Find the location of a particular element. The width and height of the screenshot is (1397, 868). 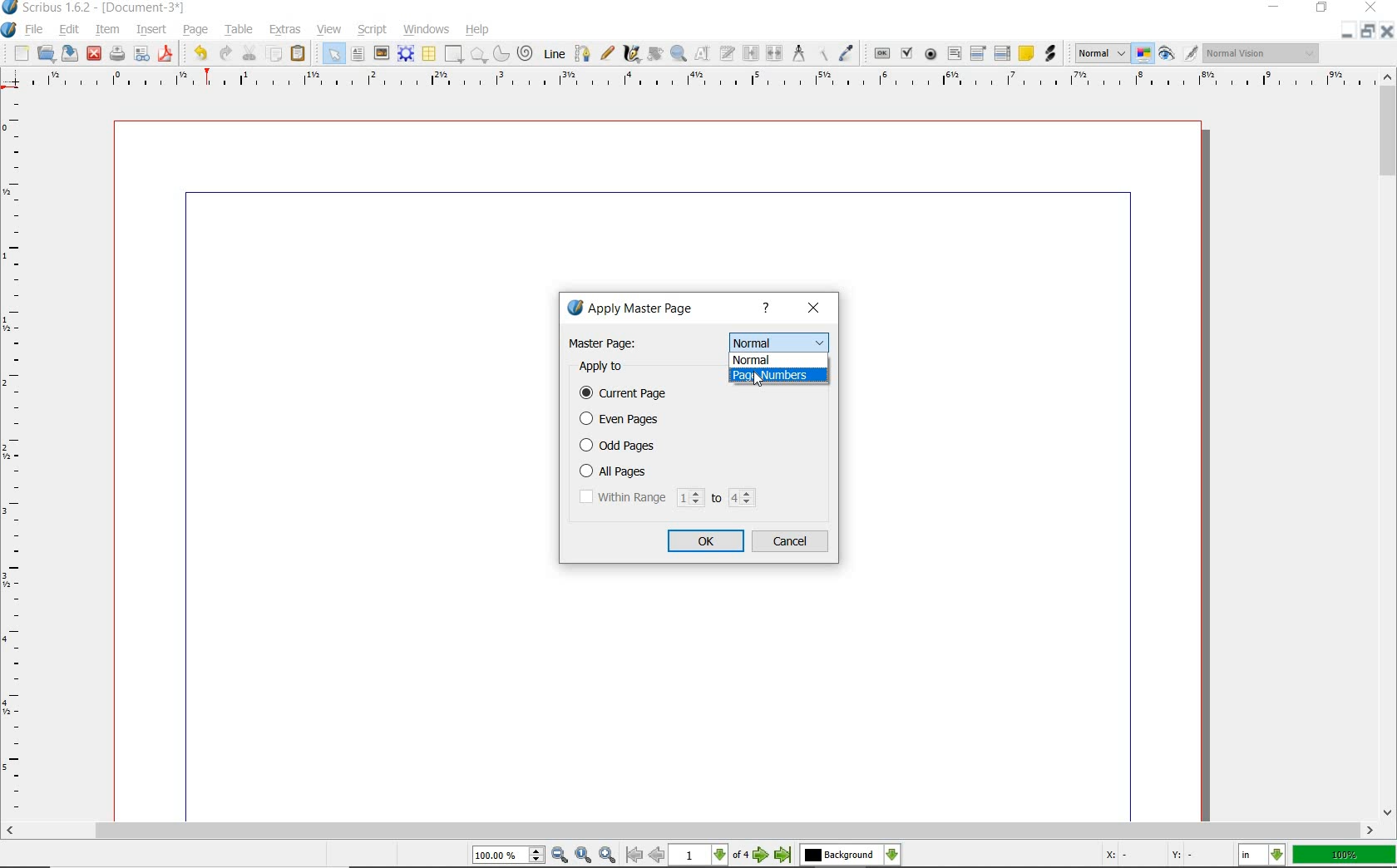

help is located at coordinates (769, 309).